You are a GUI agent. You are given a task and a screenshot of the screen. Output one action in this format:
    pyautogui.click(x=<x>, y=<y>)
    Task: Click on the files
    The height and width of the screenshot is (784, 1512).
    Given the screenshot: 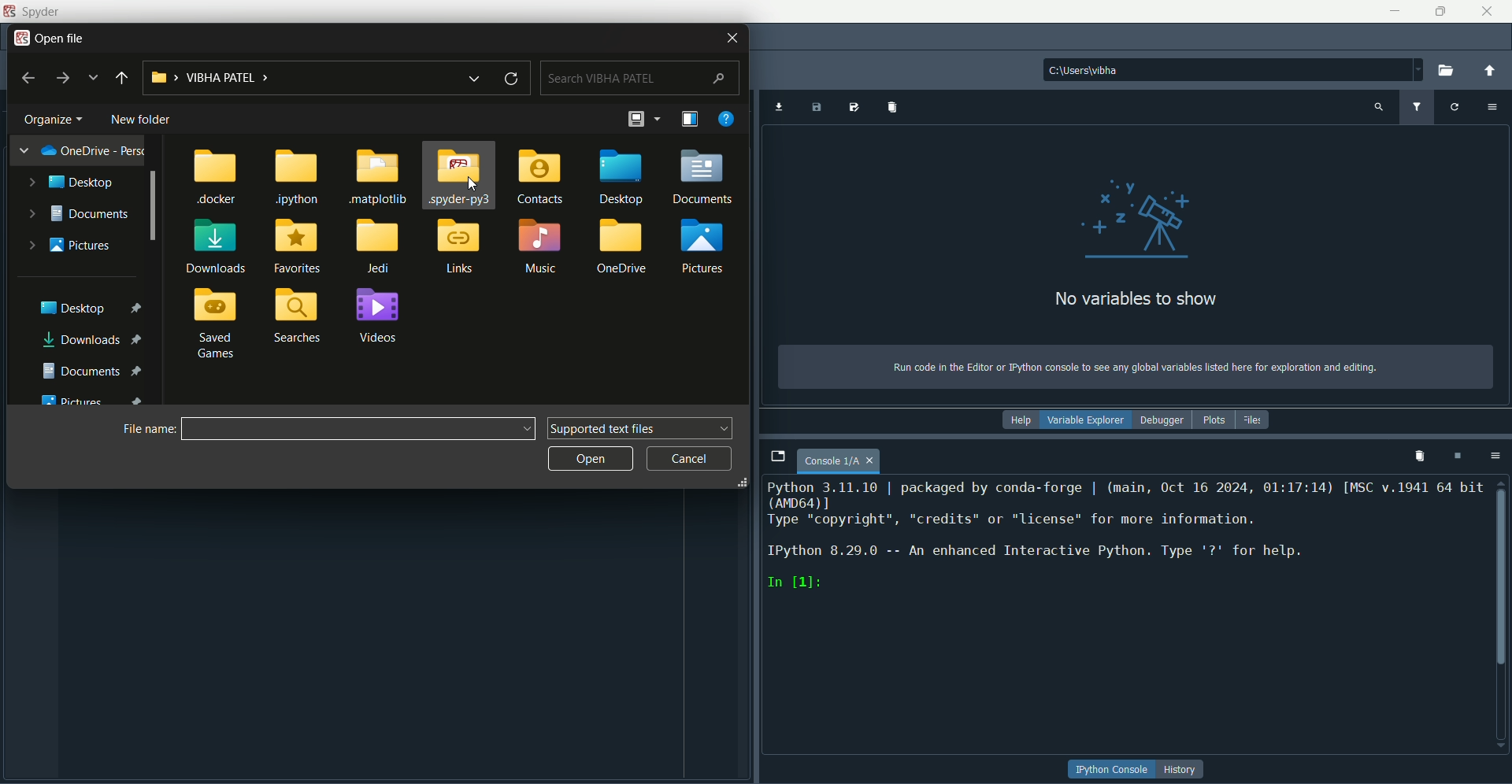 What is the action you would take?
    pyautogui.click(x=1254, y=419)
    